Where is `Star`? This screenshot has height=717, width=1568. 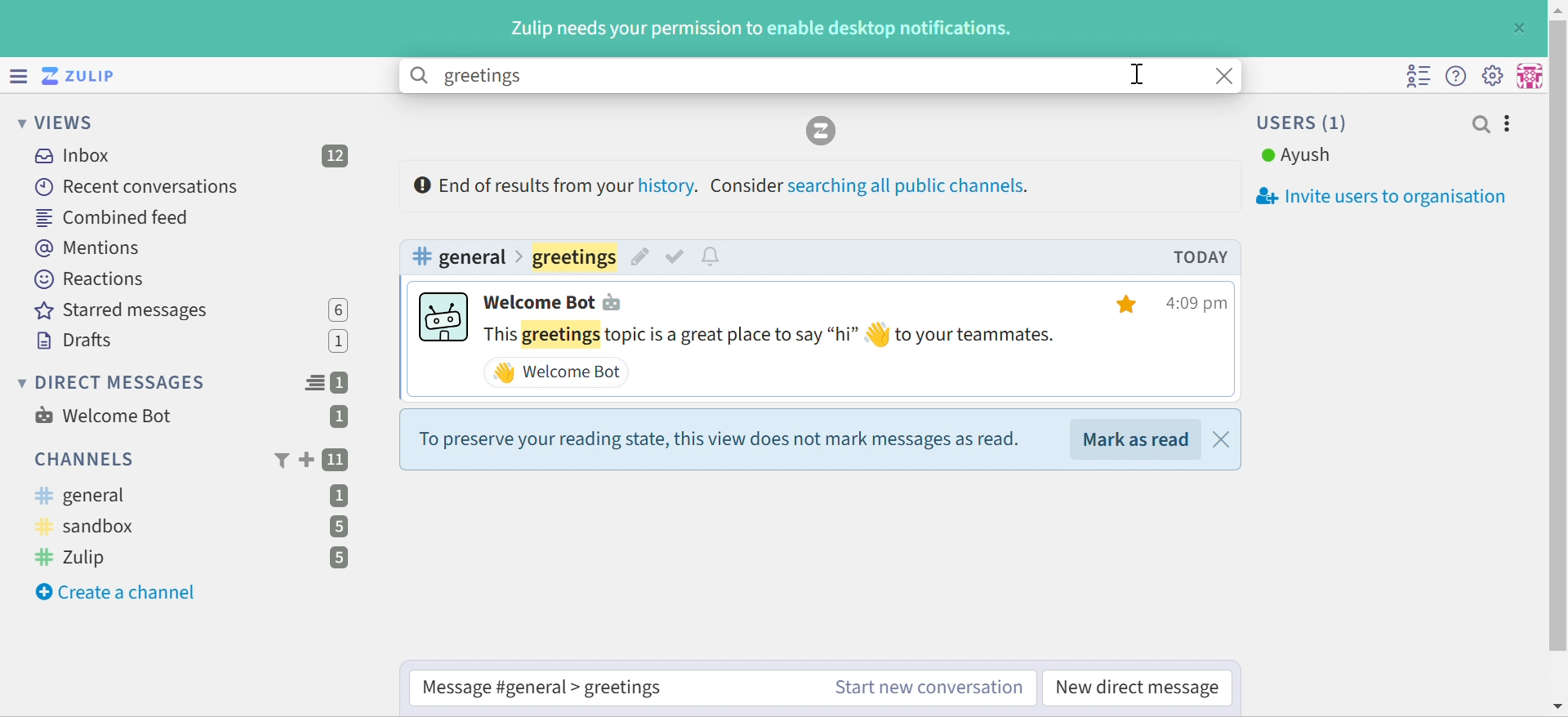 Star is located at coordinates (1129, 305).